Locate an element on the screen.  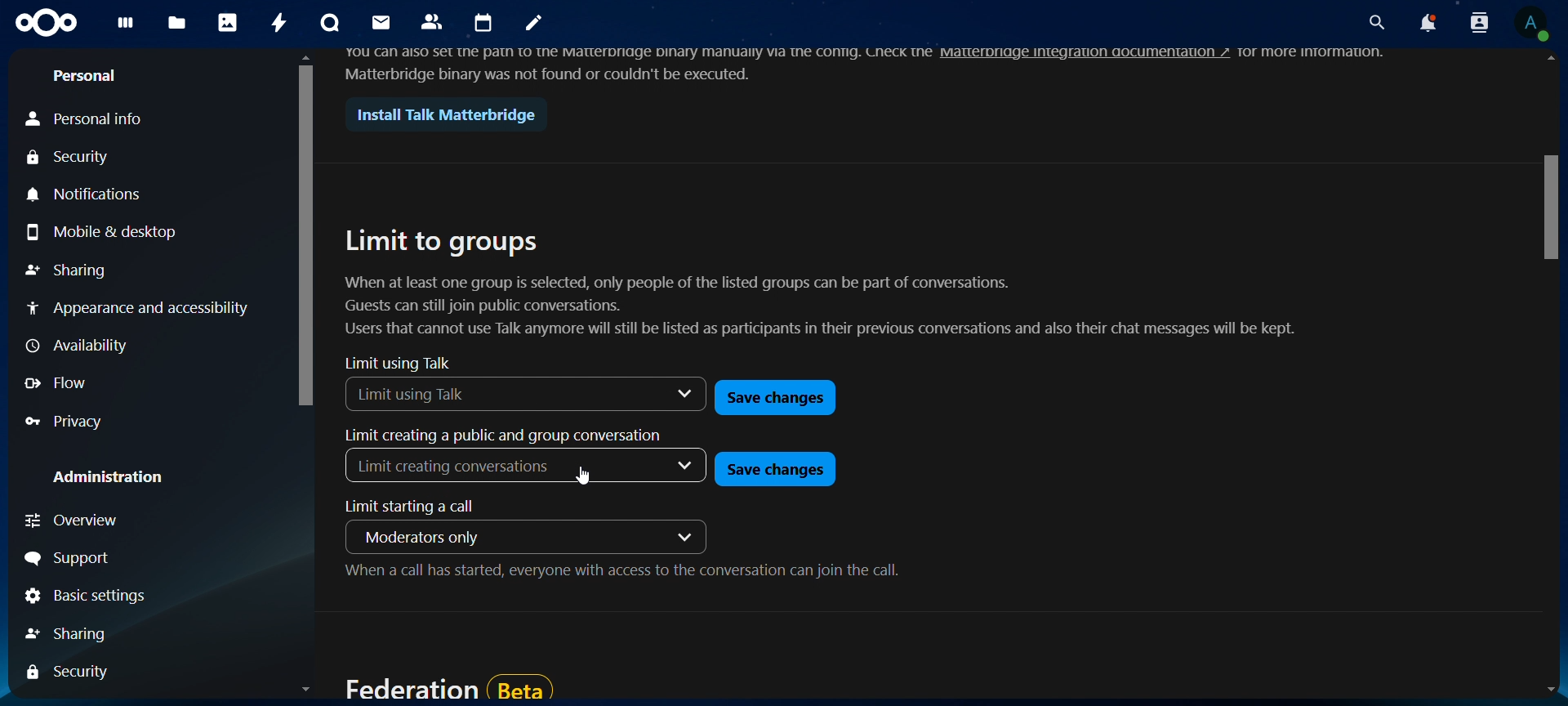
Sharing is located at coordinates (68, 273).